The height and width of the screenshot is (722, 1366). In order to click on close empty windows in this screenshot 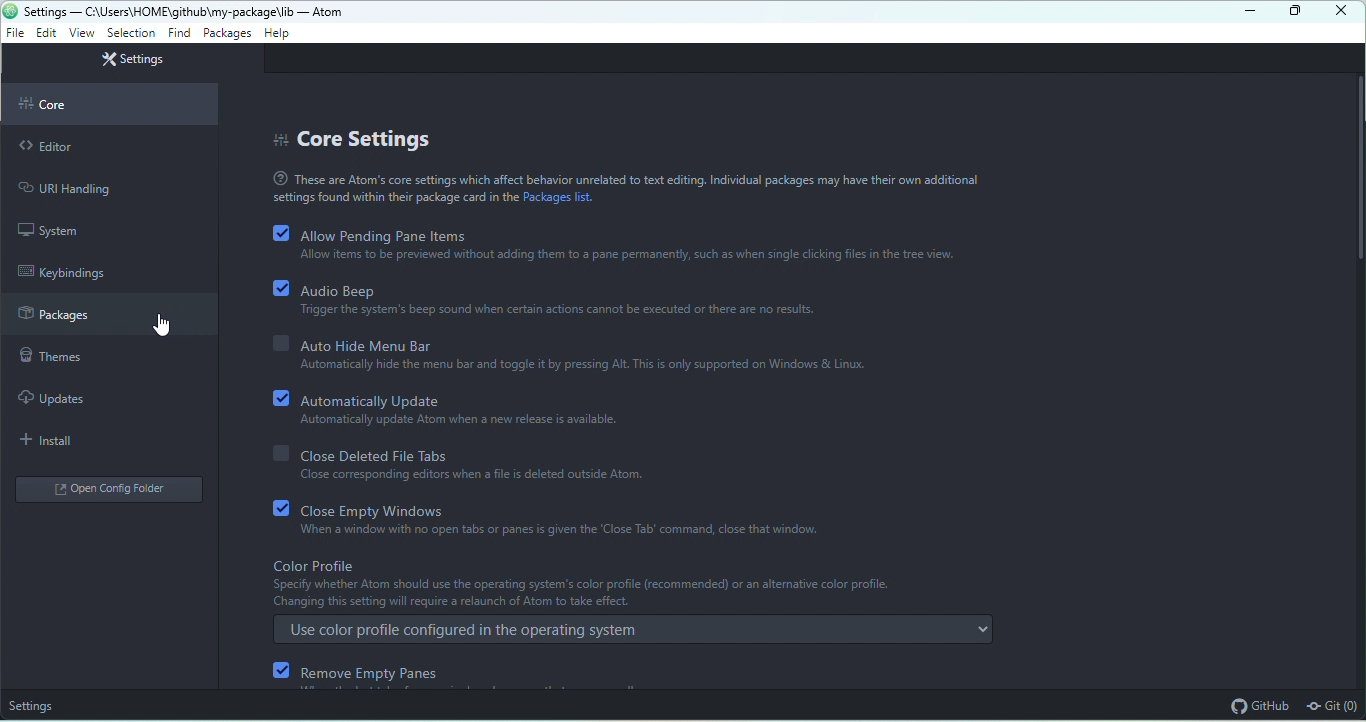, I will do `click(381, 511)`.